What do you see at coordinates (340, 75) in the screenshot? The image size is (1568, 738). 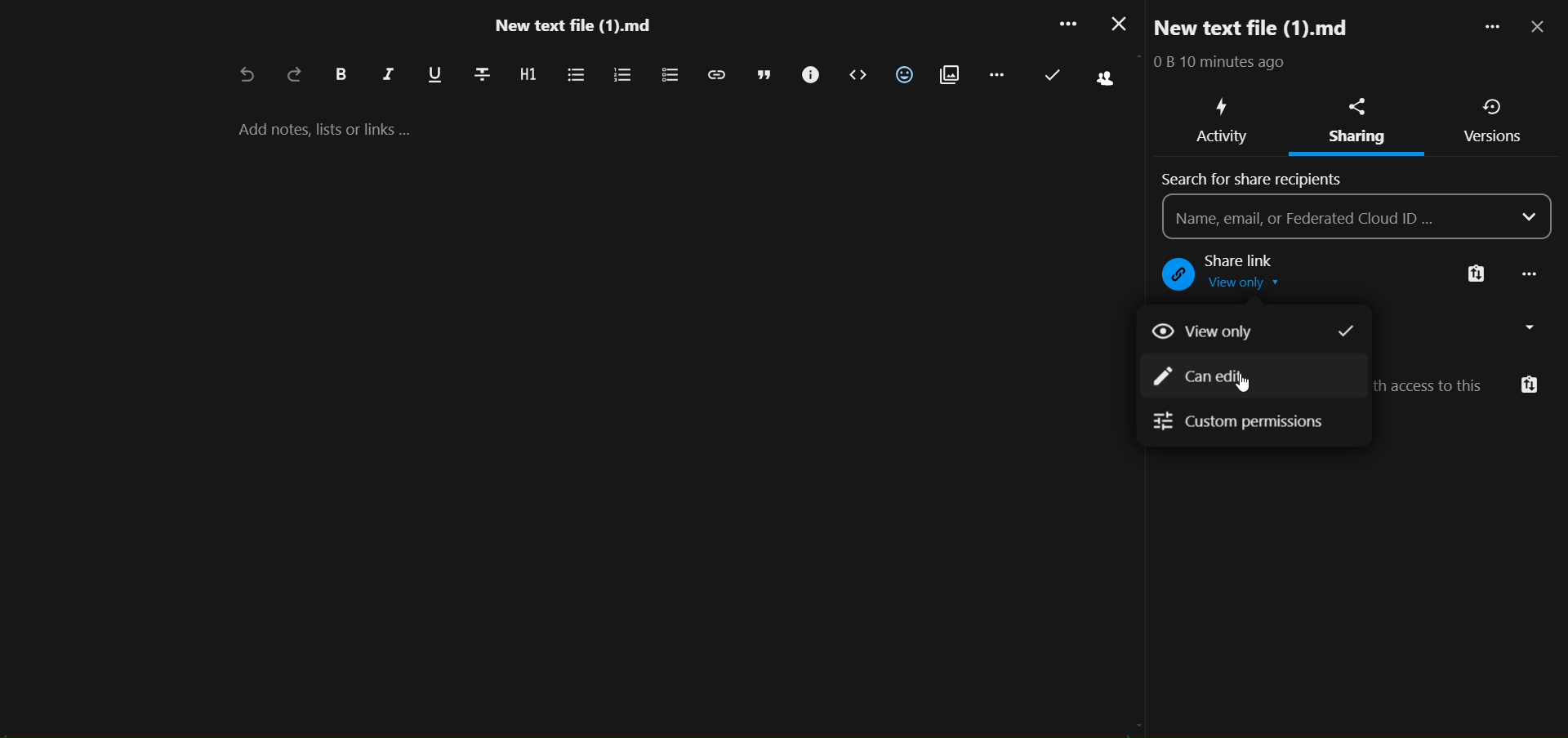 I see `bold` at bounding box center [340, 75].